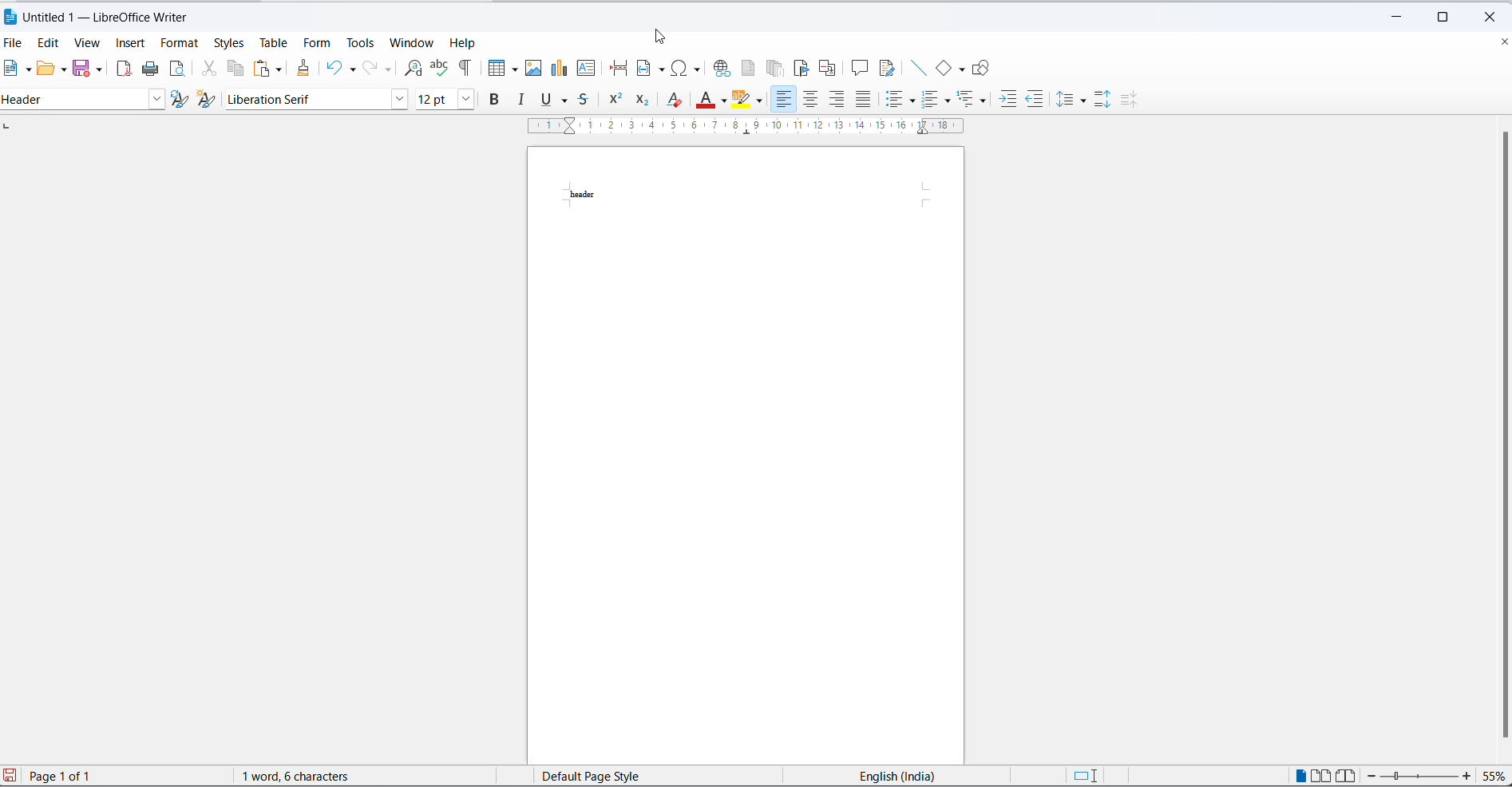 The image size is (1512, 787). What do you see at coordinates (649, 69) in the screenshot?
I see `insert field` at bounding box center [649, 69].